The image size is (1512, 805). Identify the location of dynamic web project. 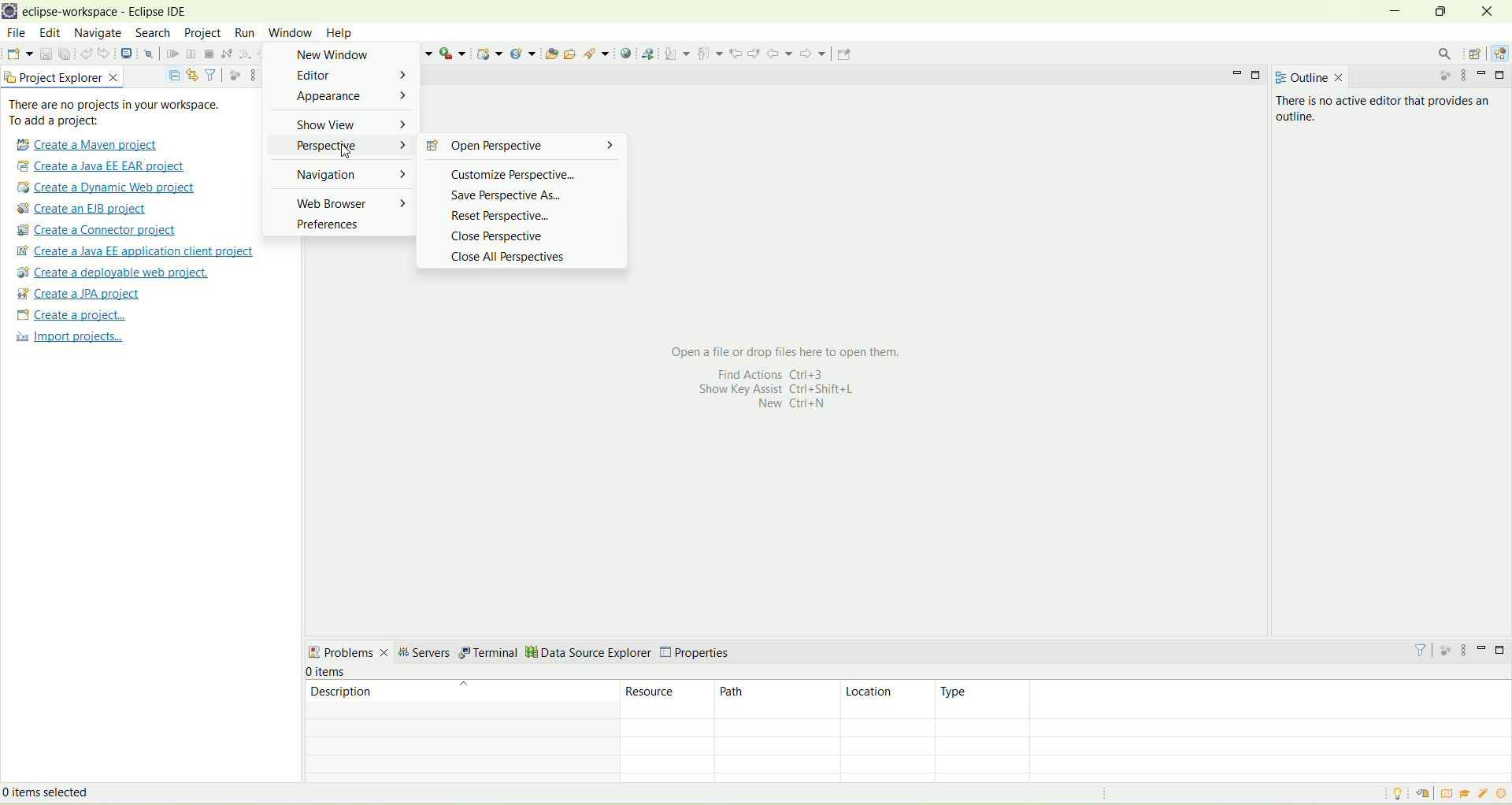
(491, 54).